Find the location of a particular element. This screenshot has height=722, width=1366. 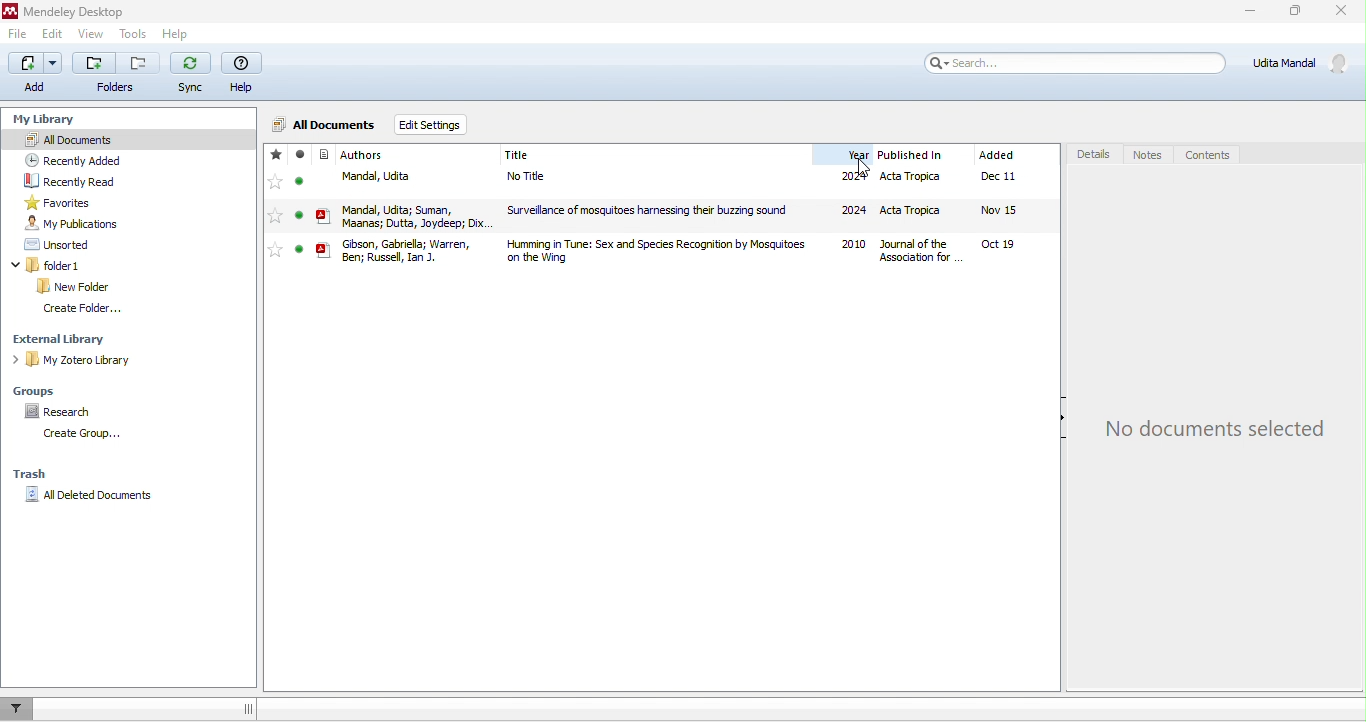

create folder is located at coordinates (75, 308).